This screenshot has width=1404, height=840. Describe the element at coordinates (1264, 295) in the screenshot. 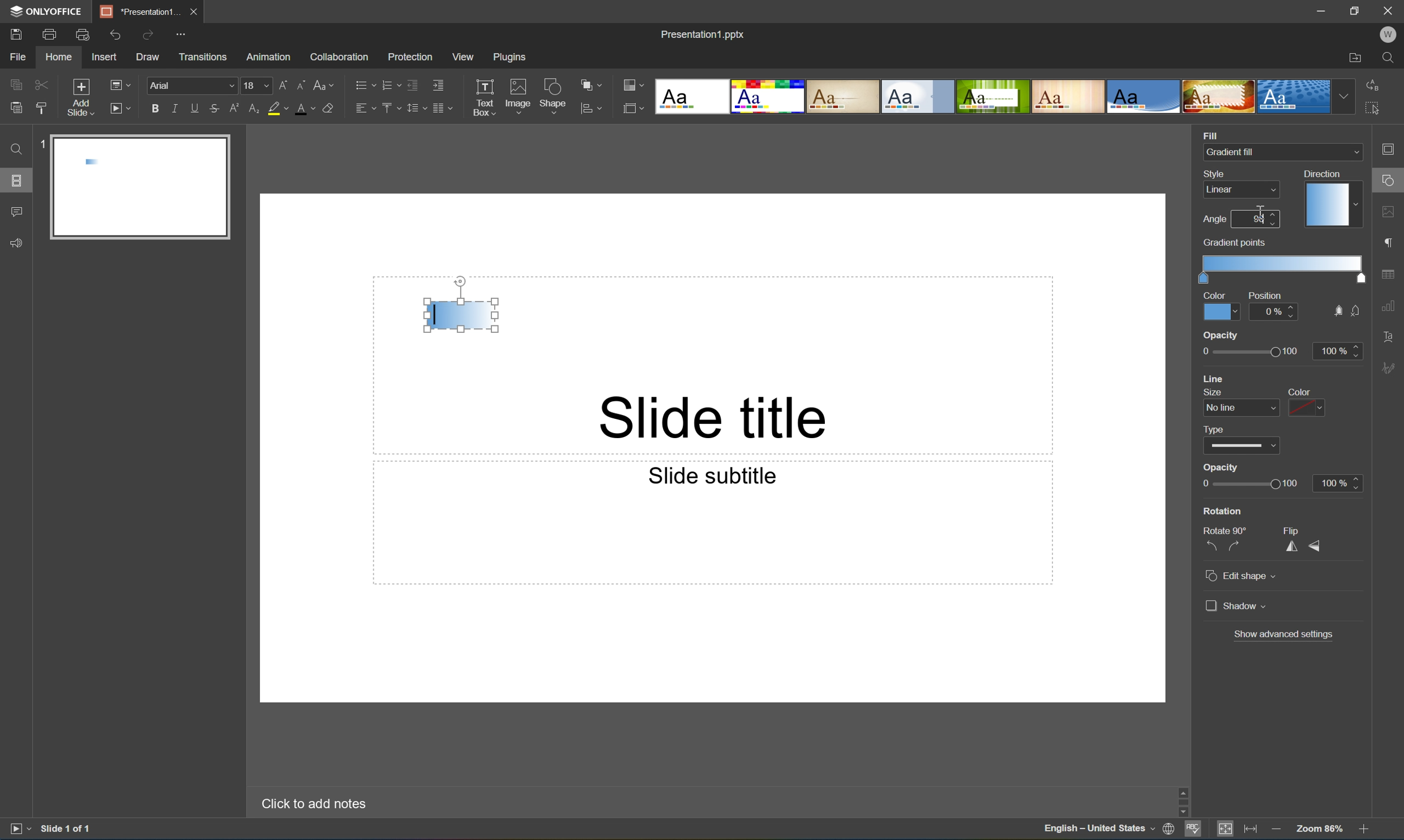

I see `Position` at that location.